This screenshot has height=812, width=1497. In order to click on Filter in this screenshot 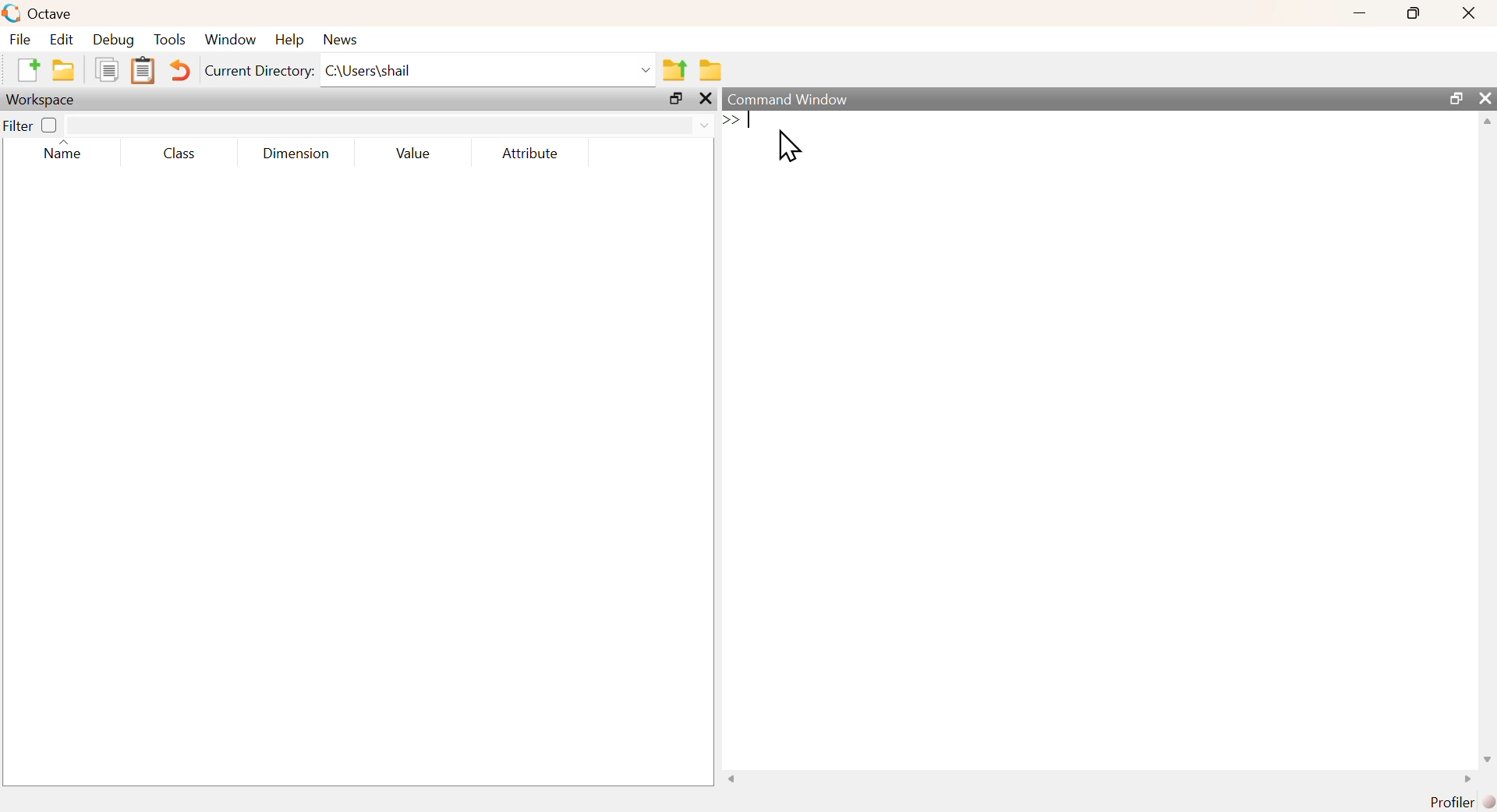, I will do `click(30, 125)`.